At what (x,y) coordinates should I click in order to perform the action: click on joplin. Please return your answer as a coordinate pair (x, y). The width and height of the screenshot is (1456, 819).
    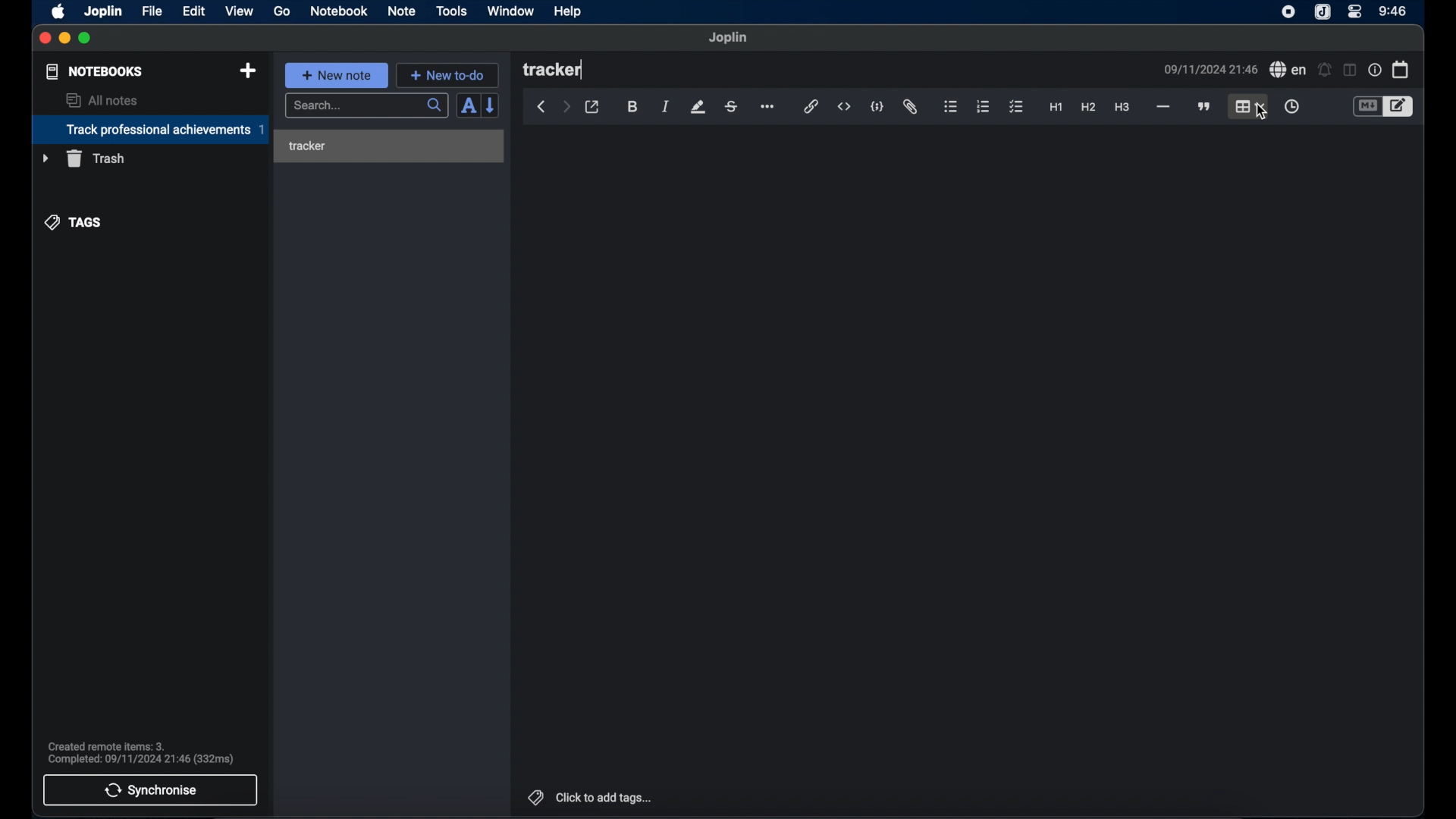
    Looking at the image, I should click on (1323, 13).